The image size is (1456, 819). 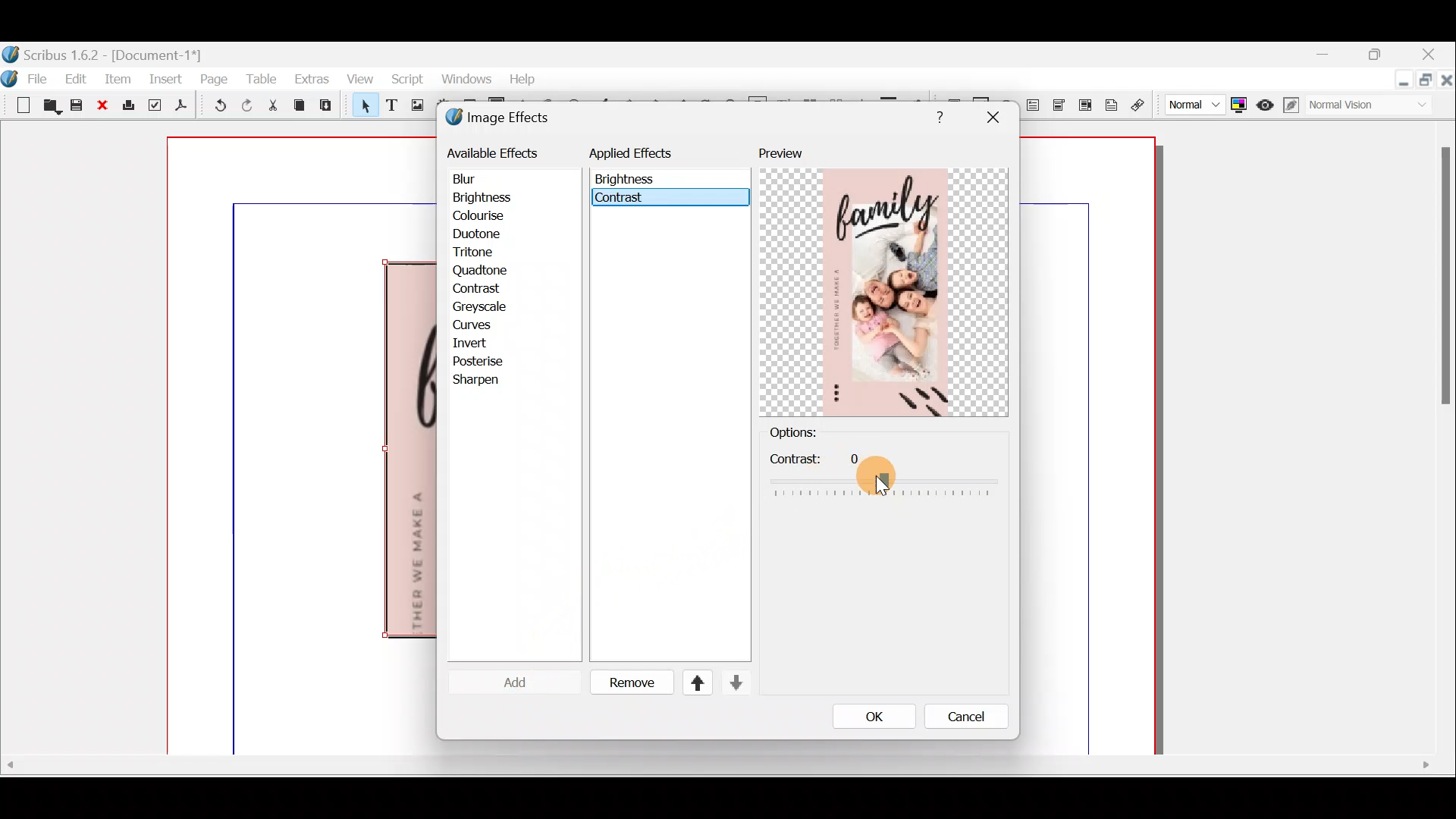 What do you see at coordinates (104, 106) in the screenshot?
I see `Close` at bounding box center [104, 106].